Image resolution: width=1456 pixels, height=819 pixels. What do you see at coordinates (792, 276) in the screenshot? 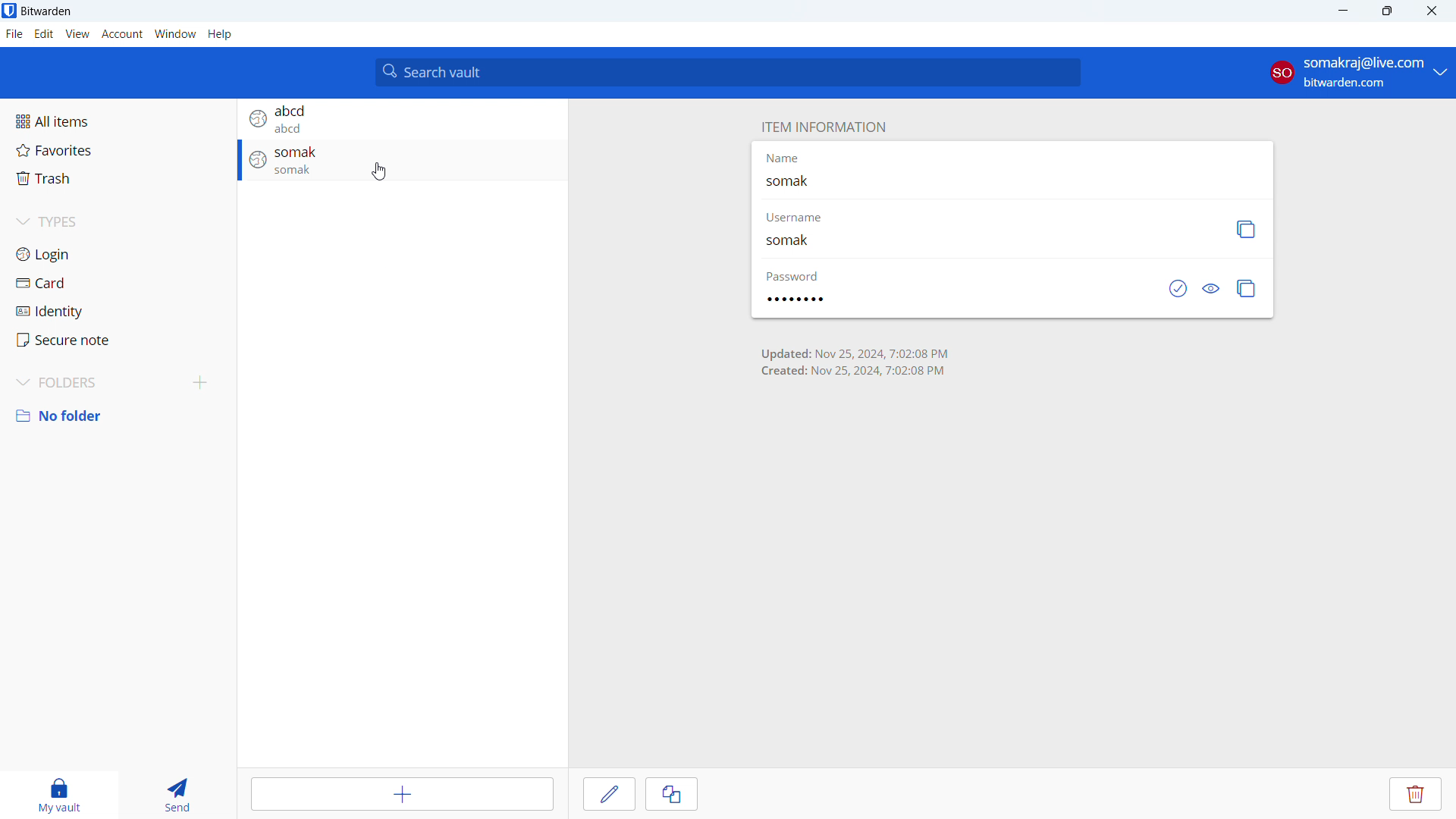
I see `password label` at bounding box center [792, 276].